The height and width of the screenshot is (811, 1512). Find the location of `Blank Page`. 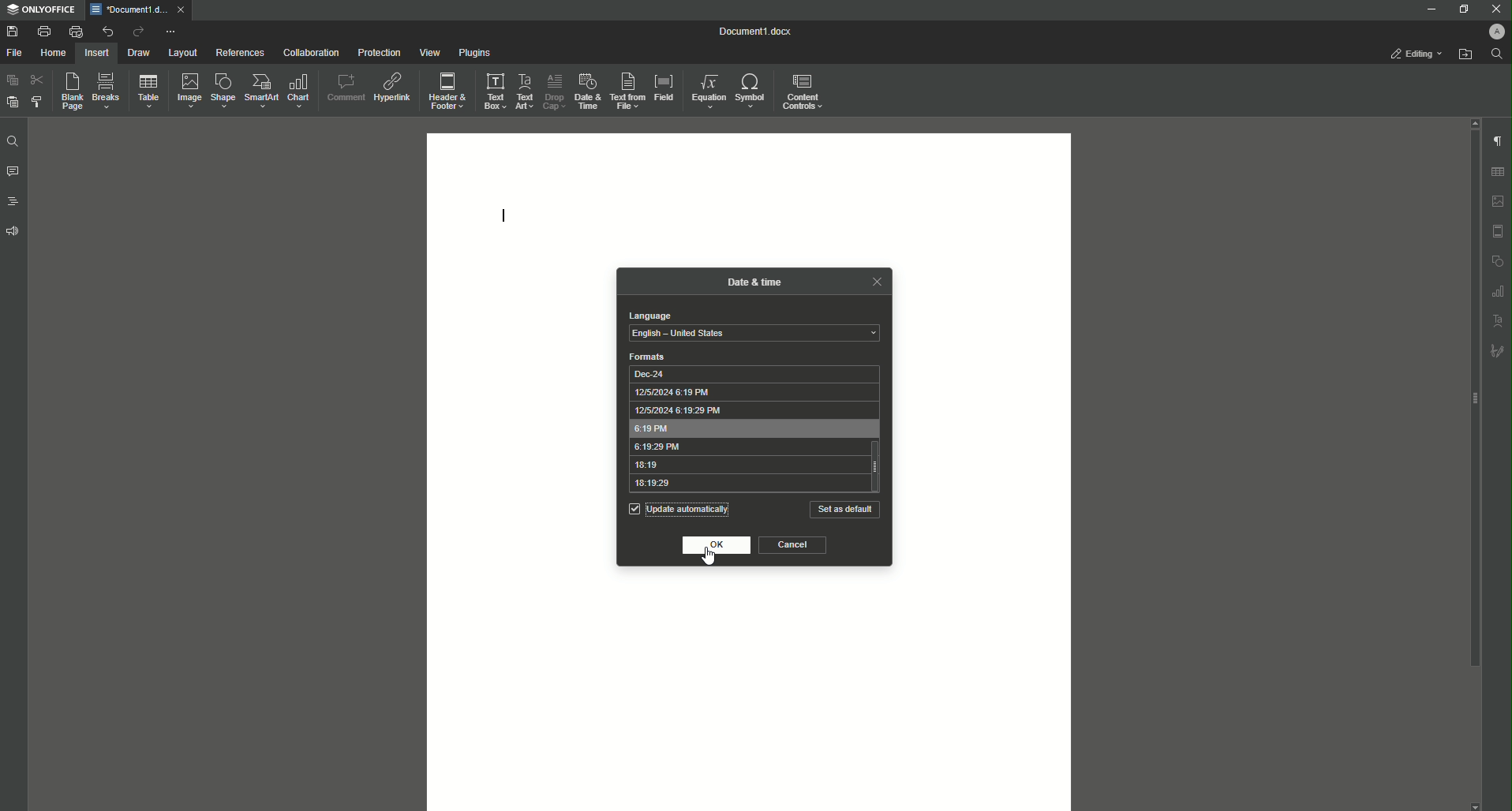

Blank Page is located at coordinates (68, 92).